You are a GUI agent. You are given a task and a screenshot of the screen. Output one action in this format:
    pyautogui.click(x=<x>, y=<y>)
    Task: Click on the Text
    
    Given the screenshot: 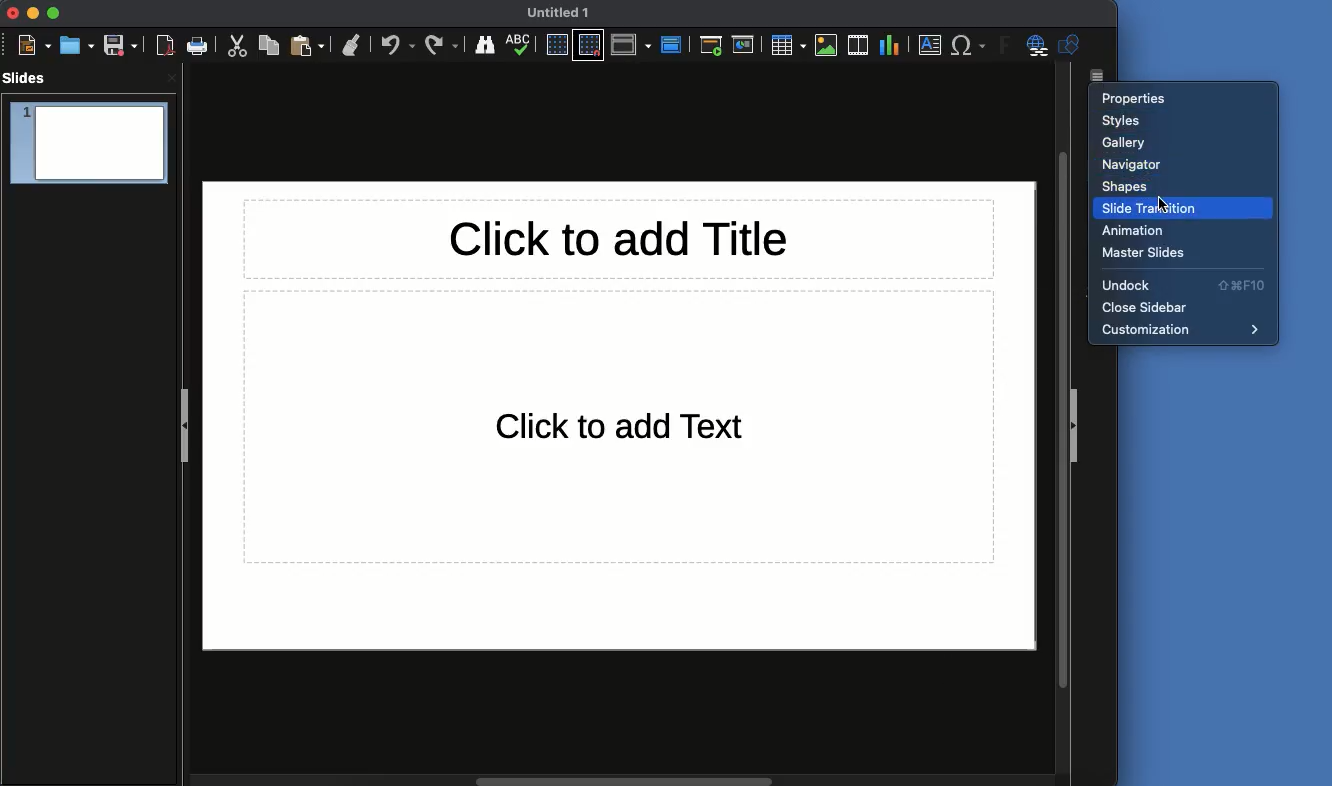 What is the action you would take?
    pyautogui.click(x=620, y=427)
    